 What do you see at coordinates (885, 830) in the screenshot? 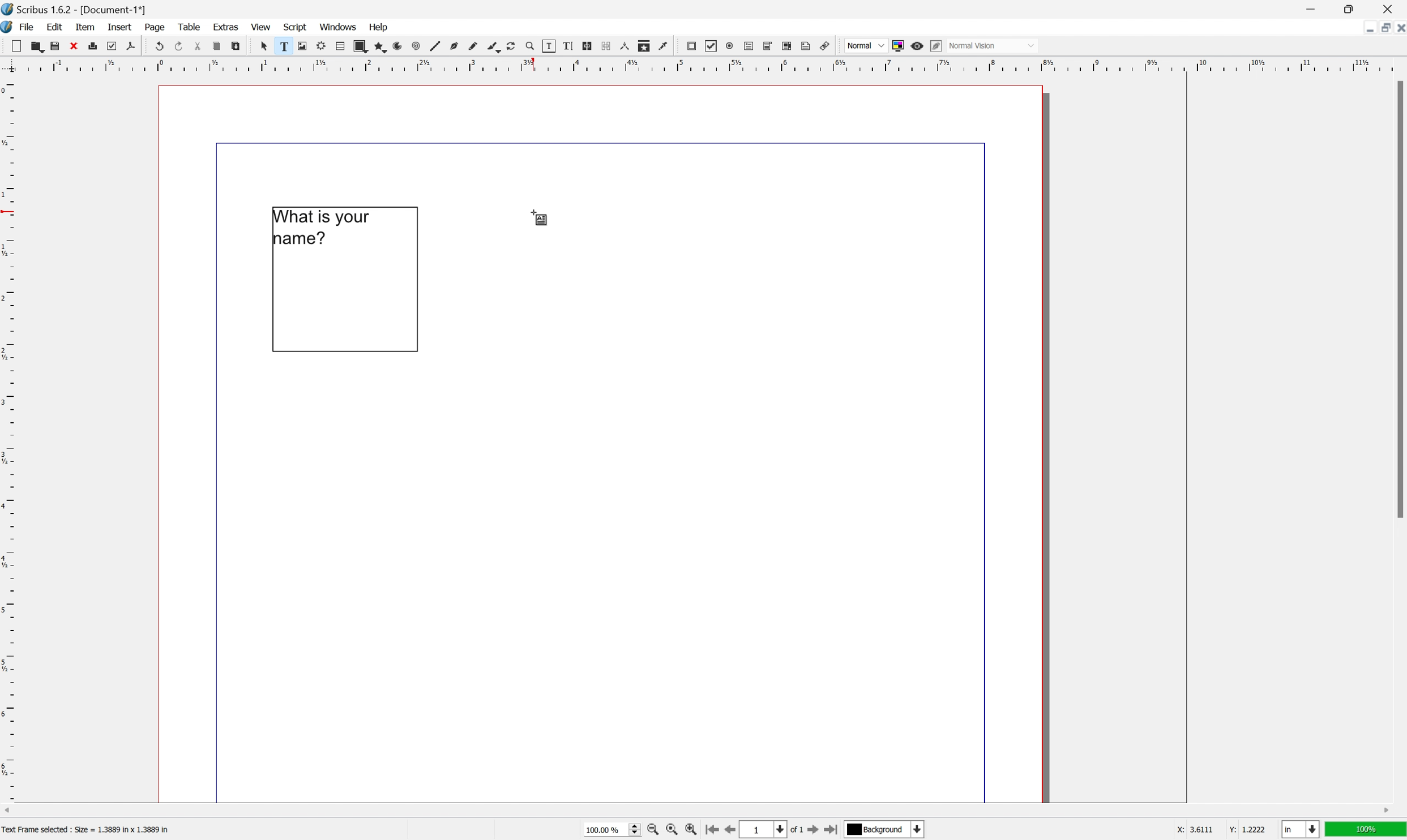
I see `select current layer` at bounding box center [885, 830].